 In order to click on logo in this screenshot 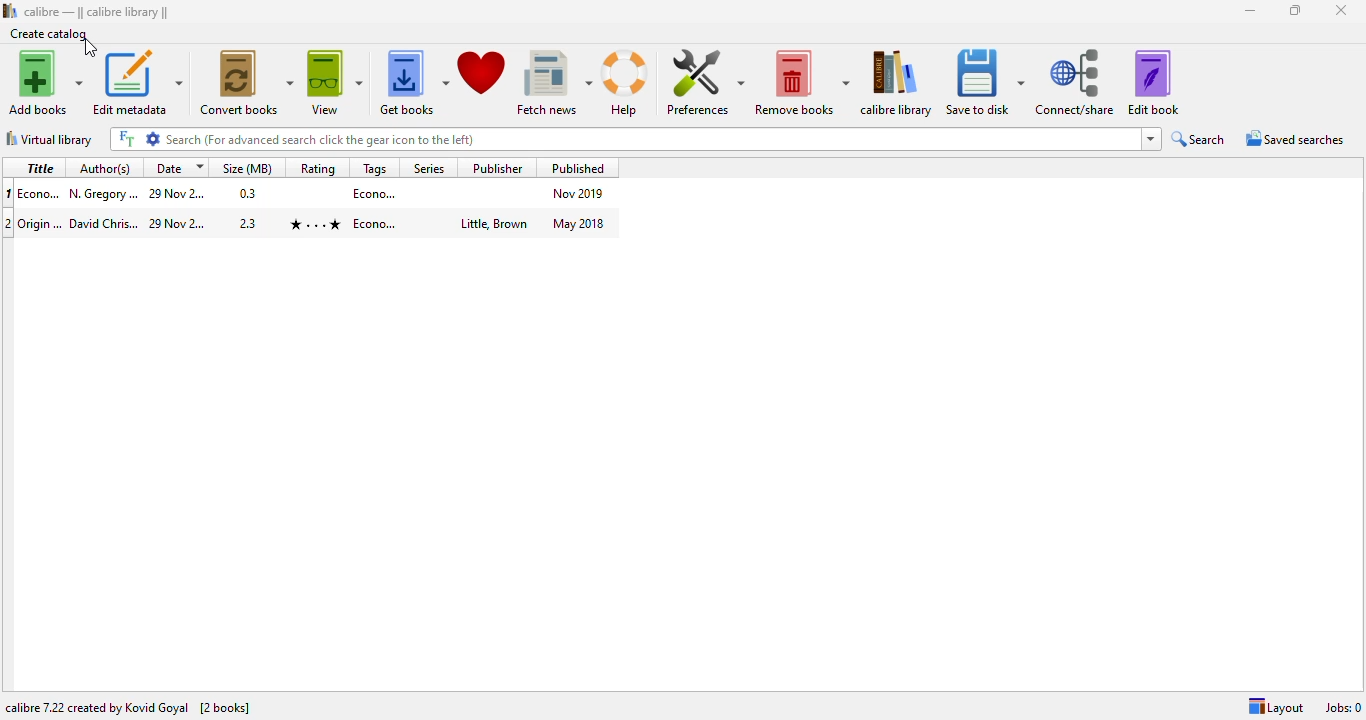, I will do `click(9, 11)`.